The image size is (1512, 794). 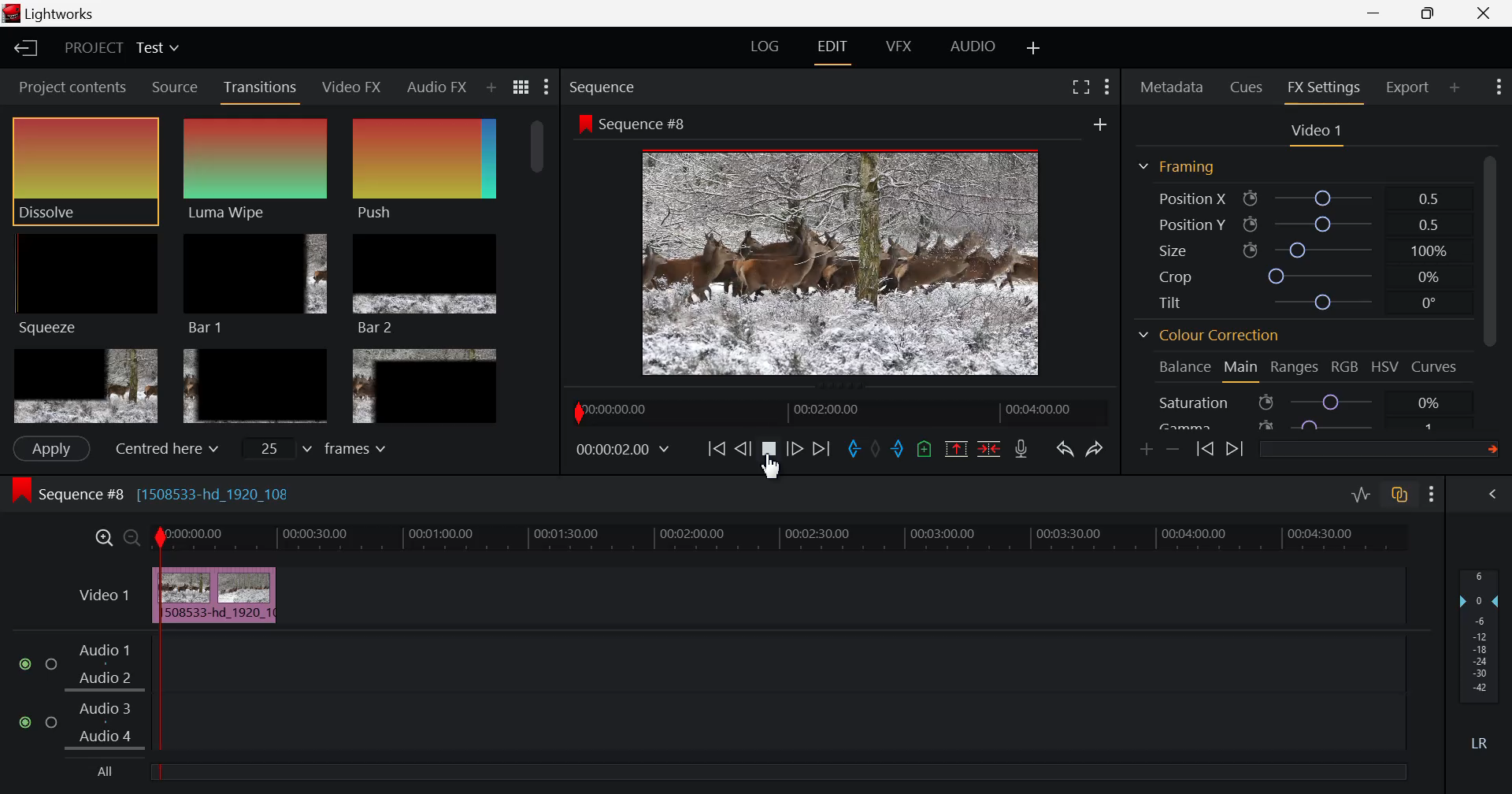 I want to click on Position X, so click(x=1303, y=198).